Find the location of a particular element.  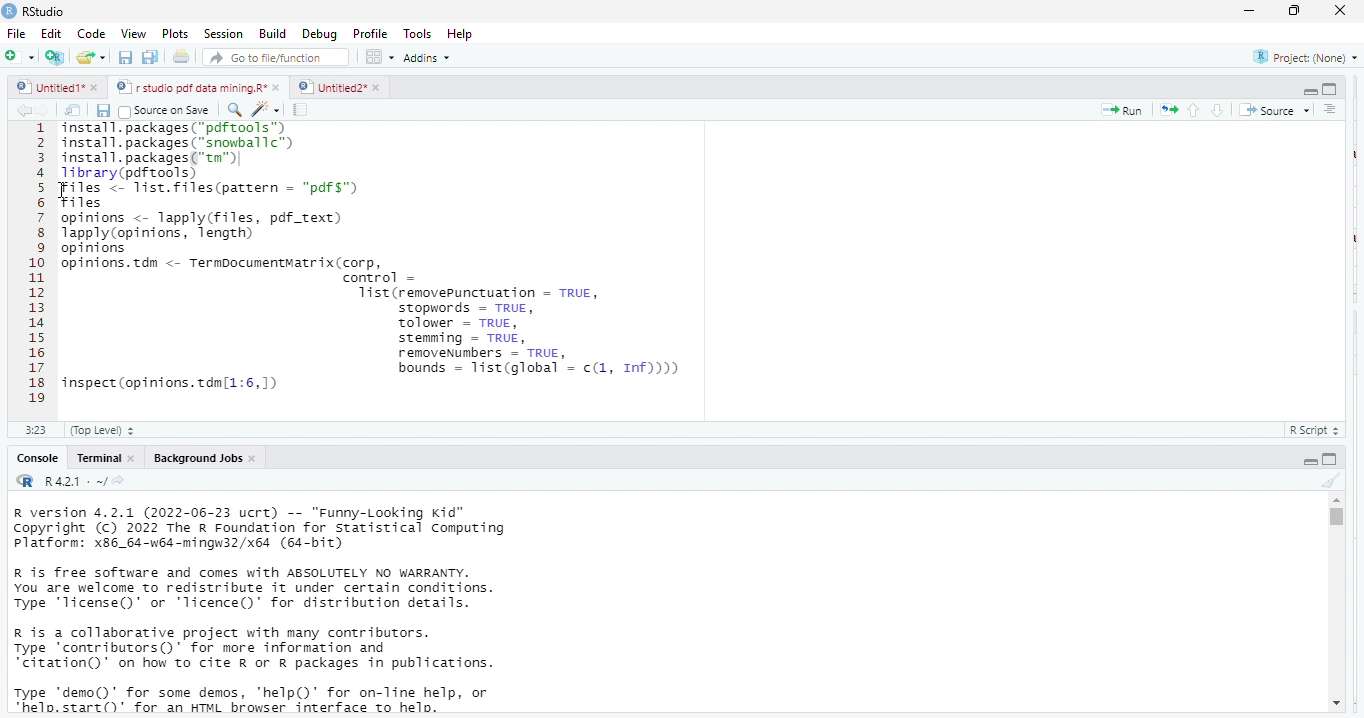

rs studio logo is located at coordinates (9, 10).